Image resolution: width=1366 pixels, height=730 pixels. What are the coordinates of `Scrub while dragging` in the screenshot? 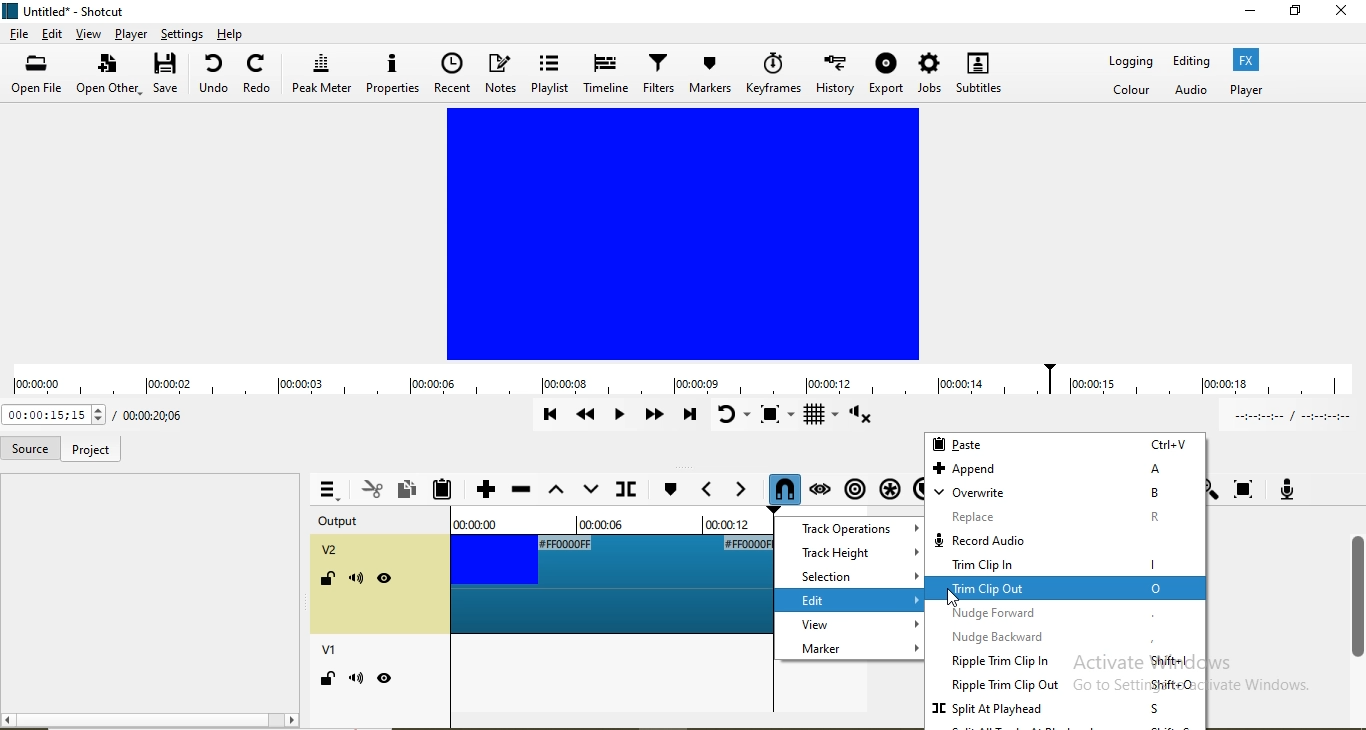 It's located at (820, 486).